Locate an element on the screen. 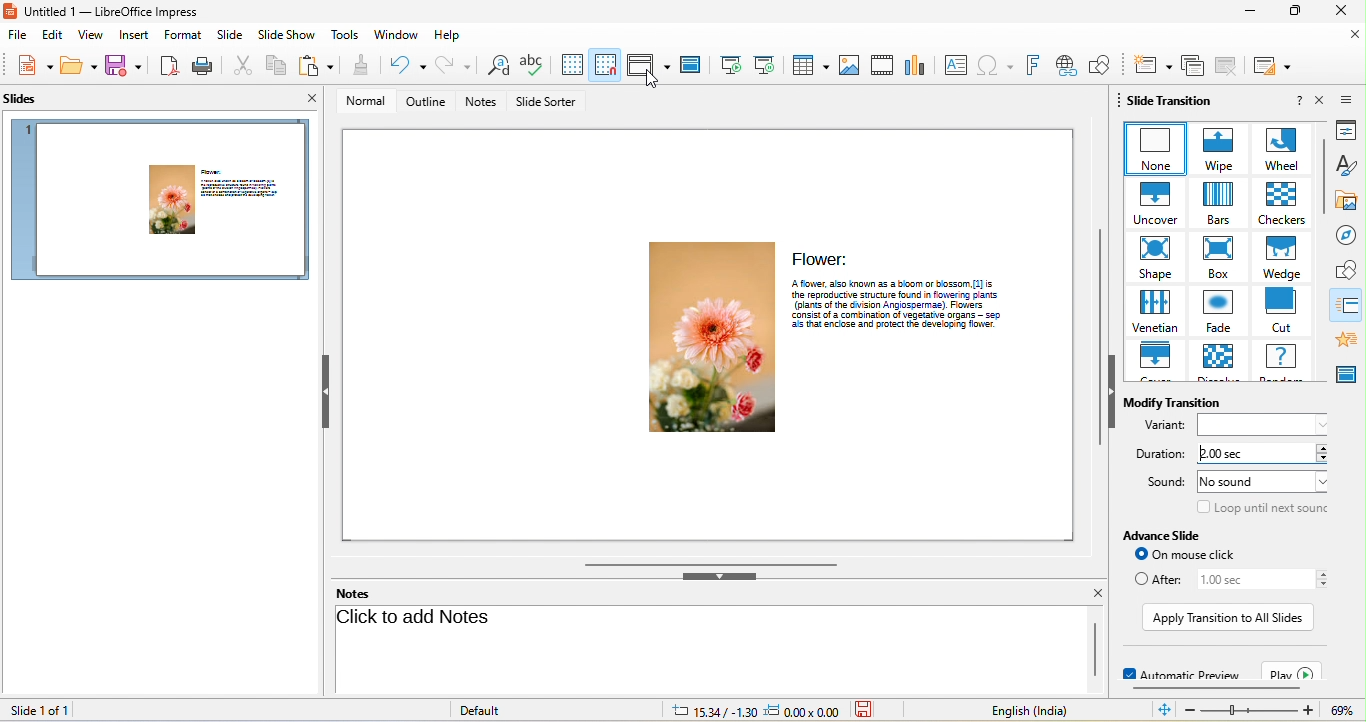  start from current slide is located at coordinates (767, 65).